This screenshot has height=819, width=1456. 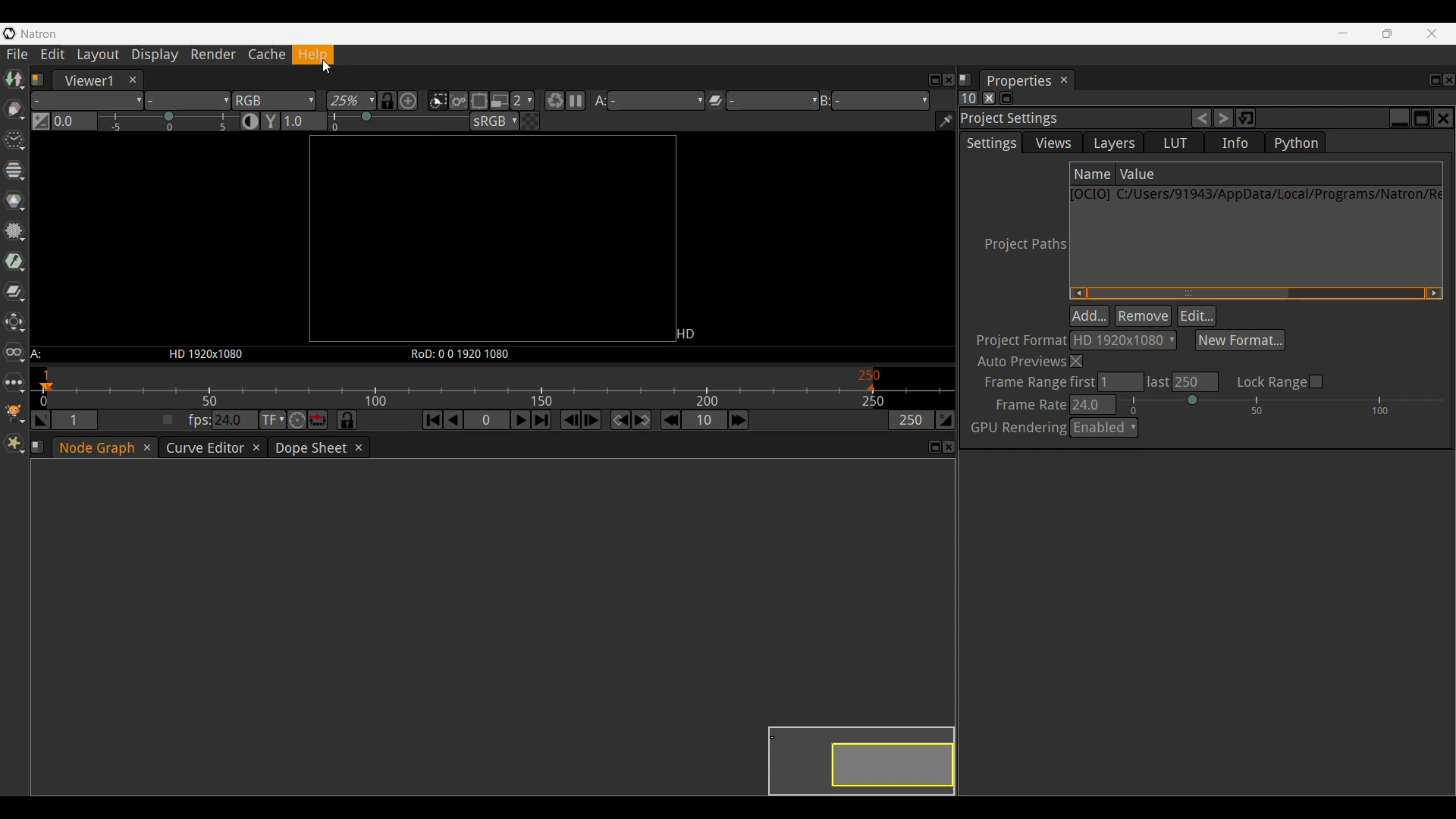 I want to click on Next frame, so click(x=591, y=420).